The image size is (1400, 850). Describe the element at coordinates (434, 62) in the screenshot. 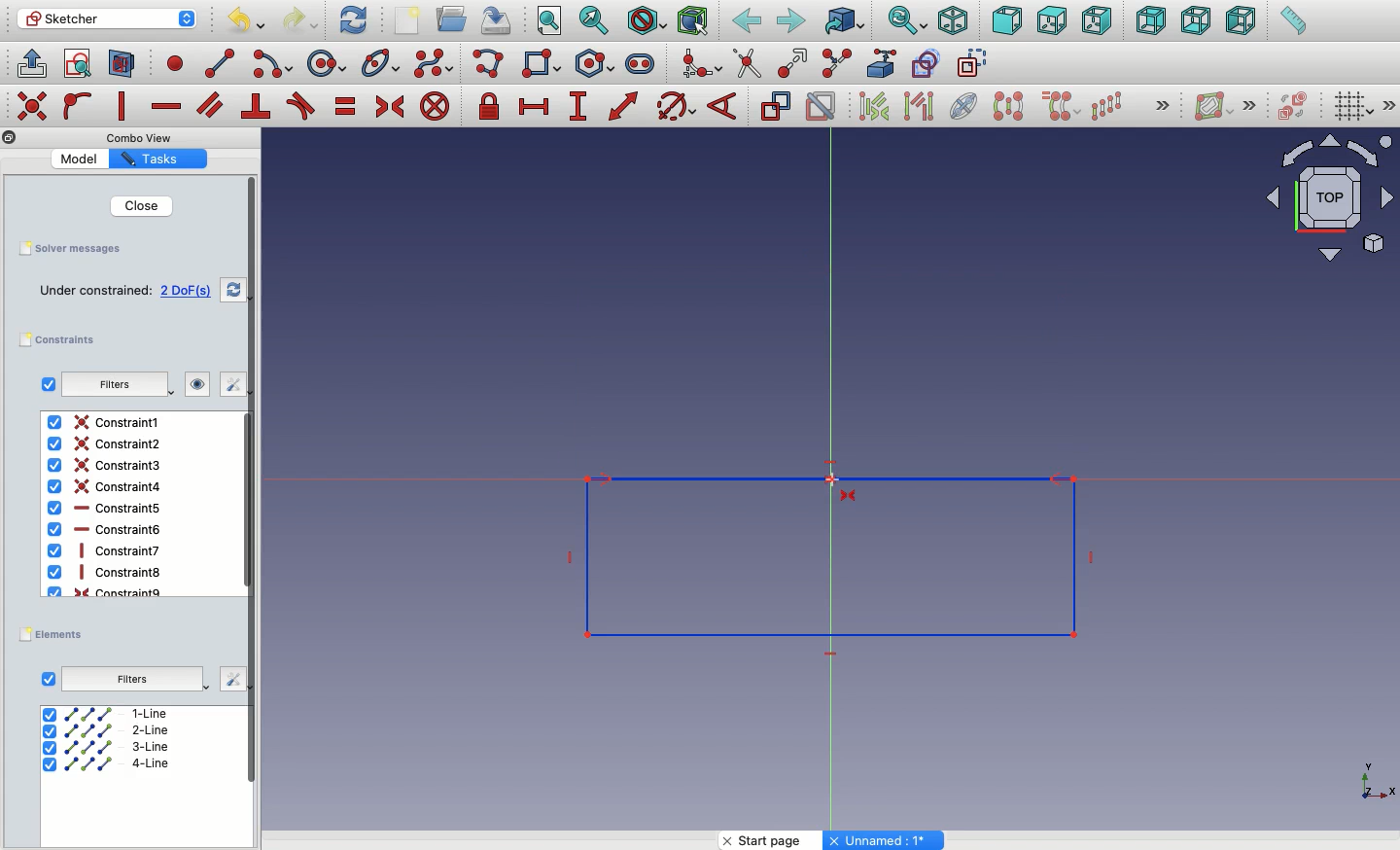

I see `Create B-spline` at that location.